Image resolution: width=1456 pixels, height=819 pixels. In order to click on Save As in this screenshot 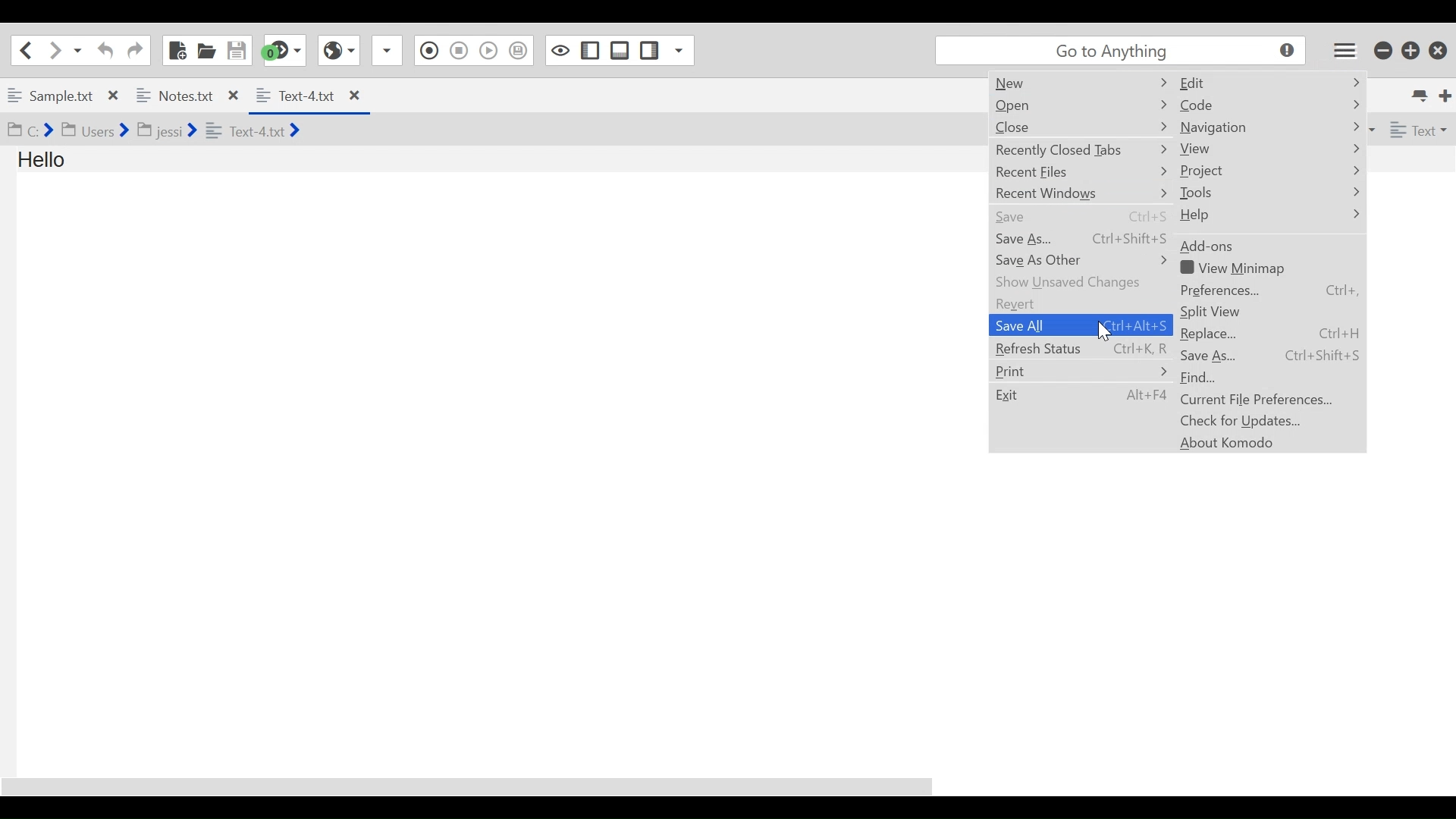, I will do `click(1080, 238)`.